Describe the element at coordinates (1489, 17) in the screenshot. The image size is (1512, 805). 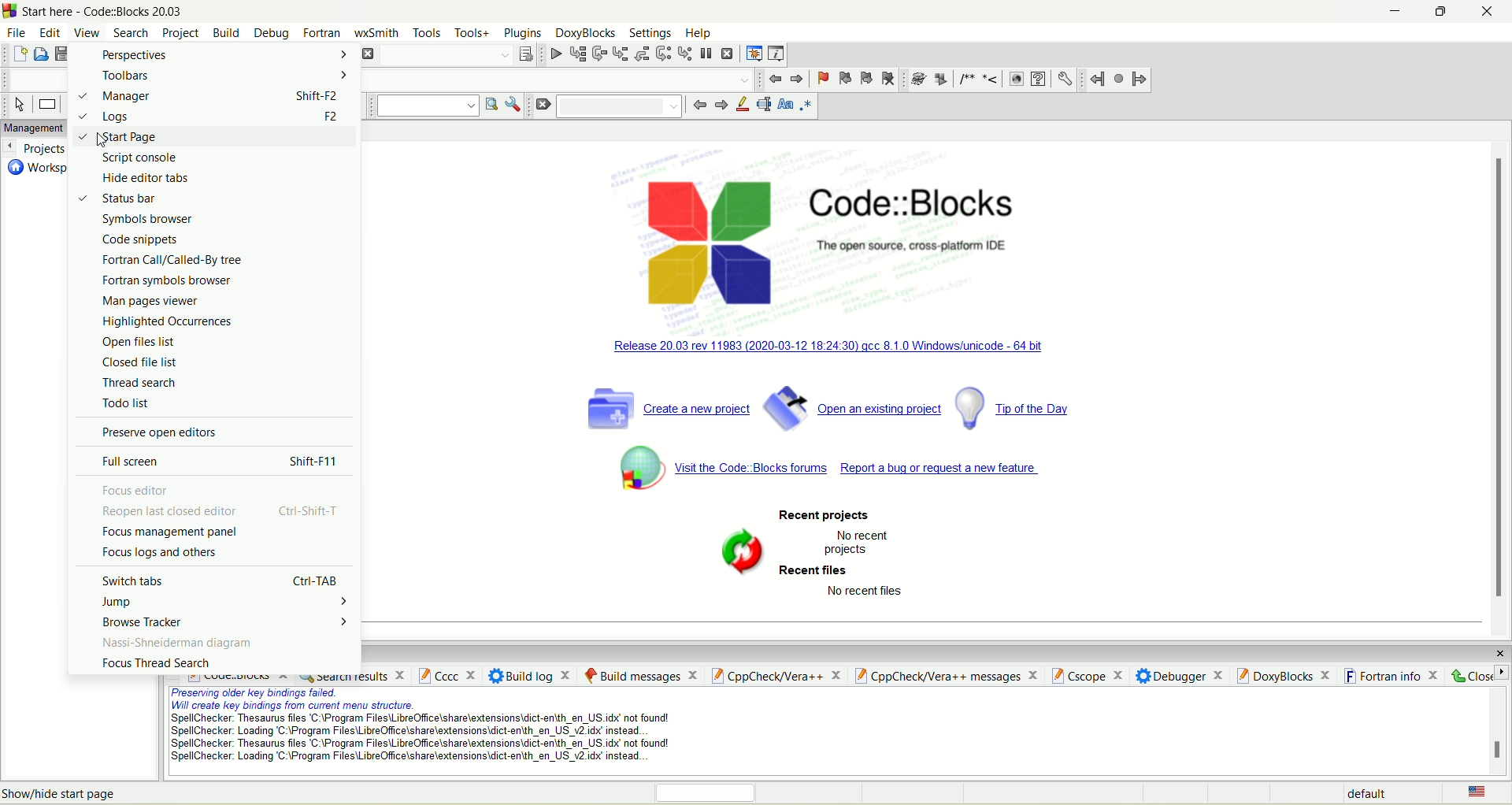
I see `close` at that location.